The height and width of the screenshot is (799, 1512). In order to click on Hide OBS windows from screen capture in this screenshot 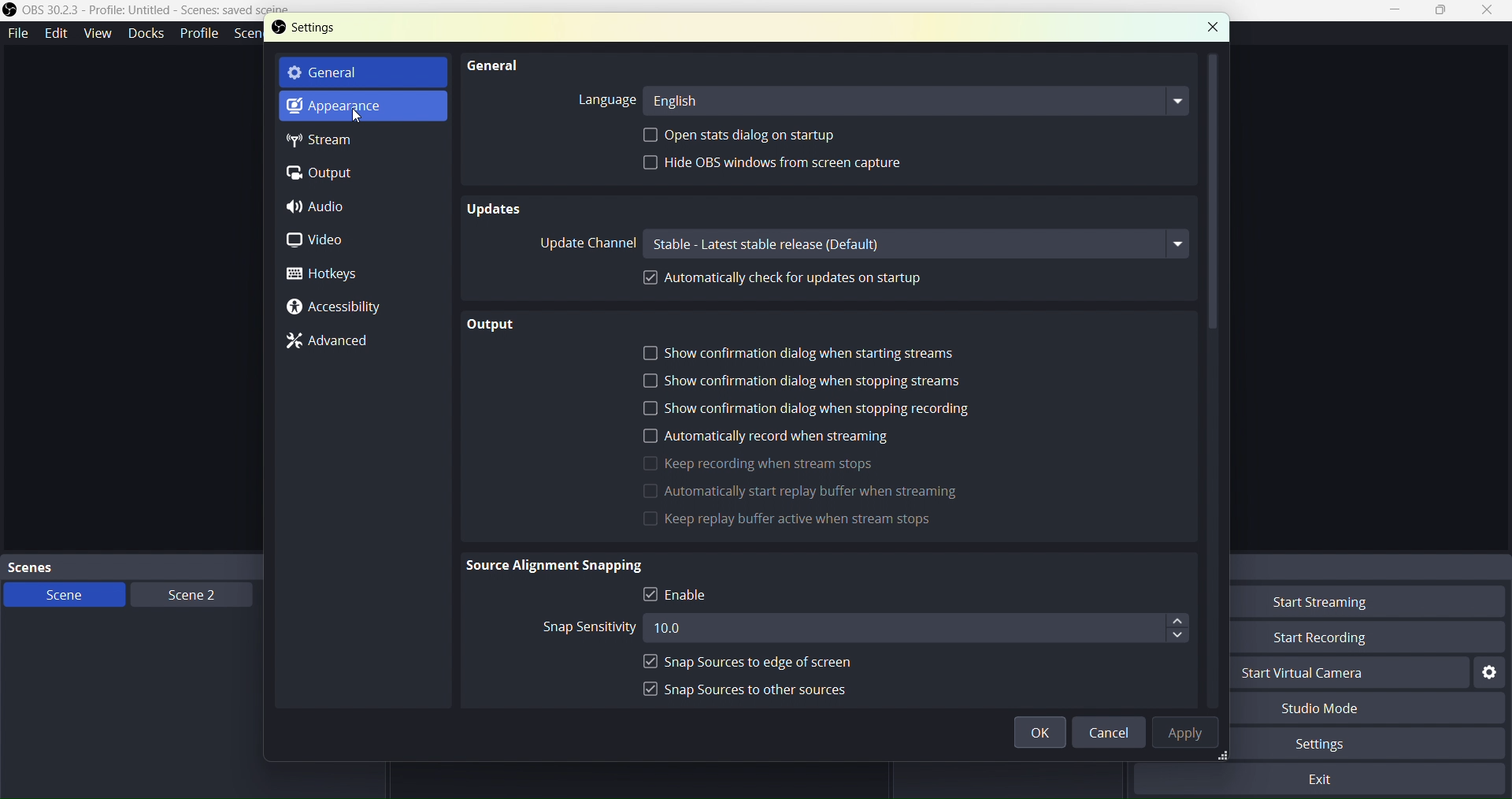, I will do `click(773, 166)`.